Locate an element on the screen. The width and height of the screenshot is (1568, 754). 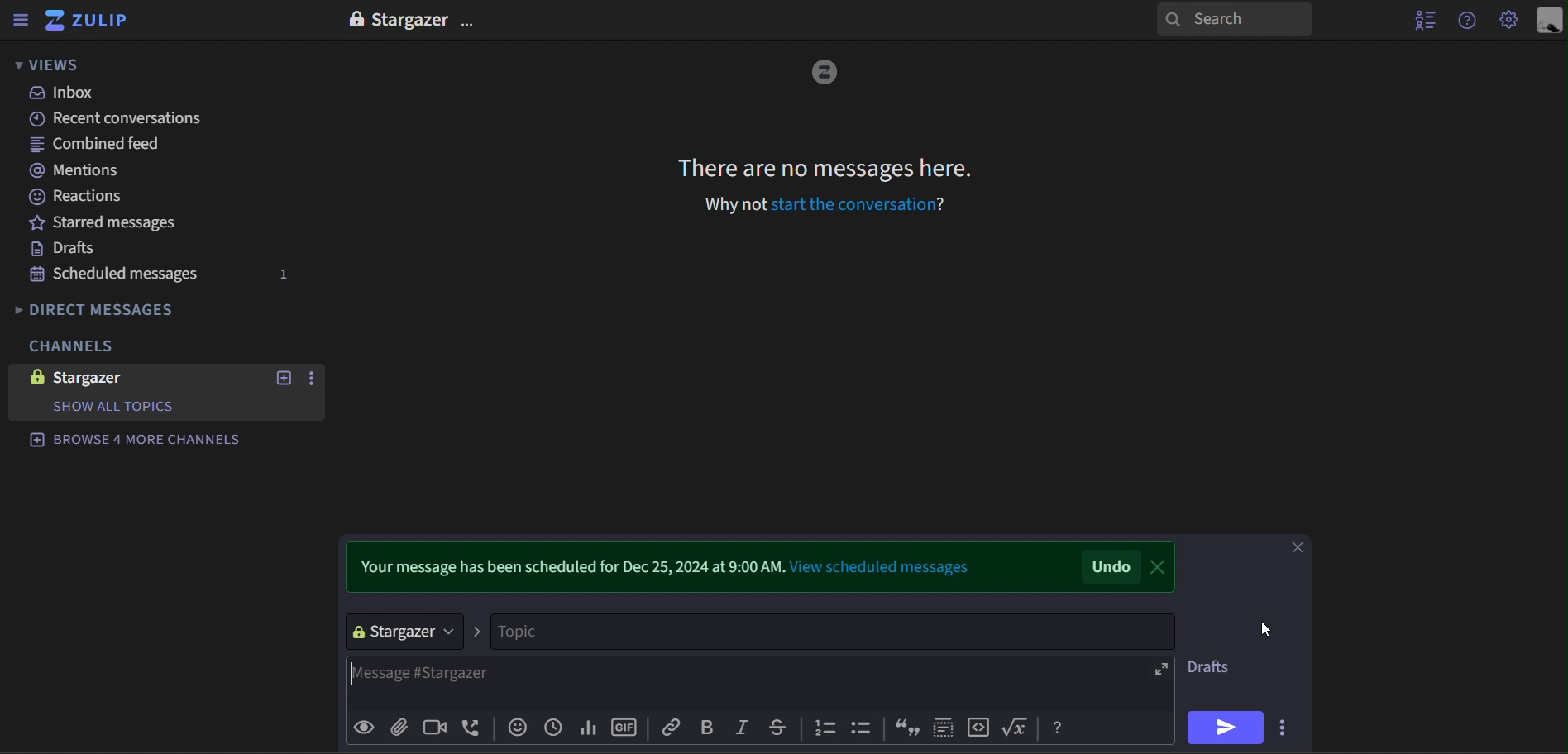
stargazer is located at coordinates (113, 381).